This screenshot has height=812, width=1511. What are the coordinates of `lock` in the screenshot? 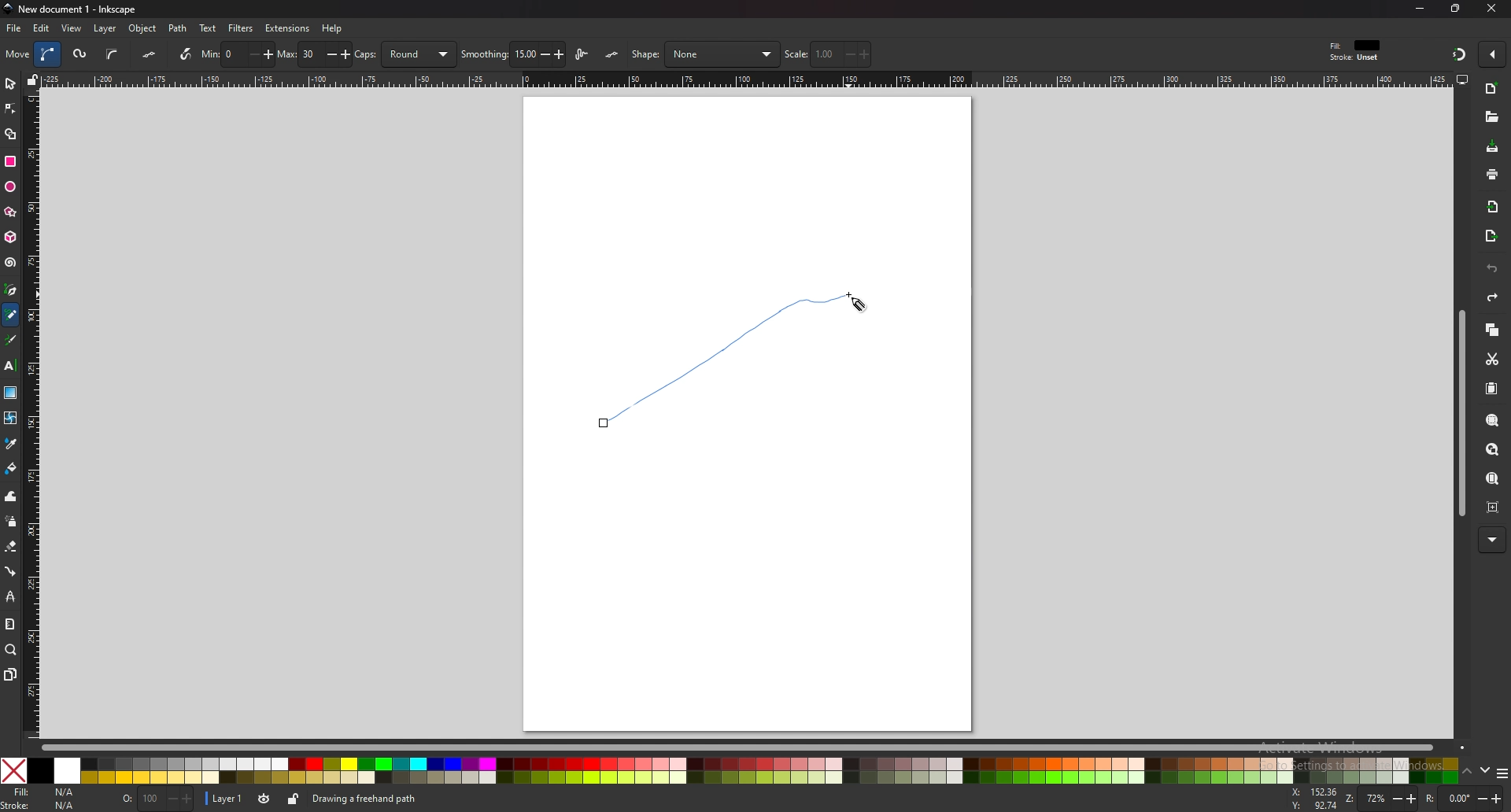 It's located at (294, 799).